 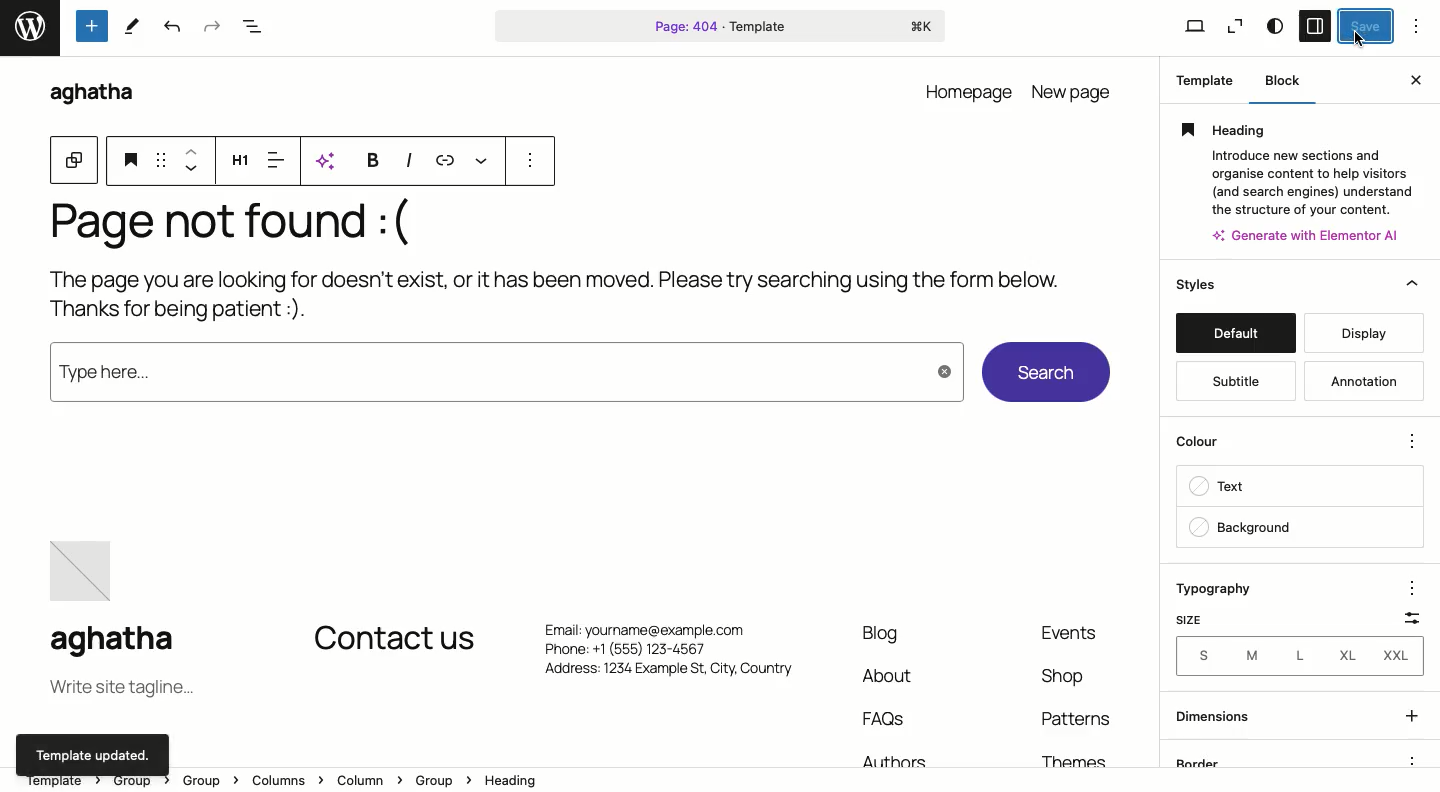 I want to click on Introduce new sections and
organise content to help visitors.
(and search engines) understand
the structure of your content., so click(x=1307, y=181).